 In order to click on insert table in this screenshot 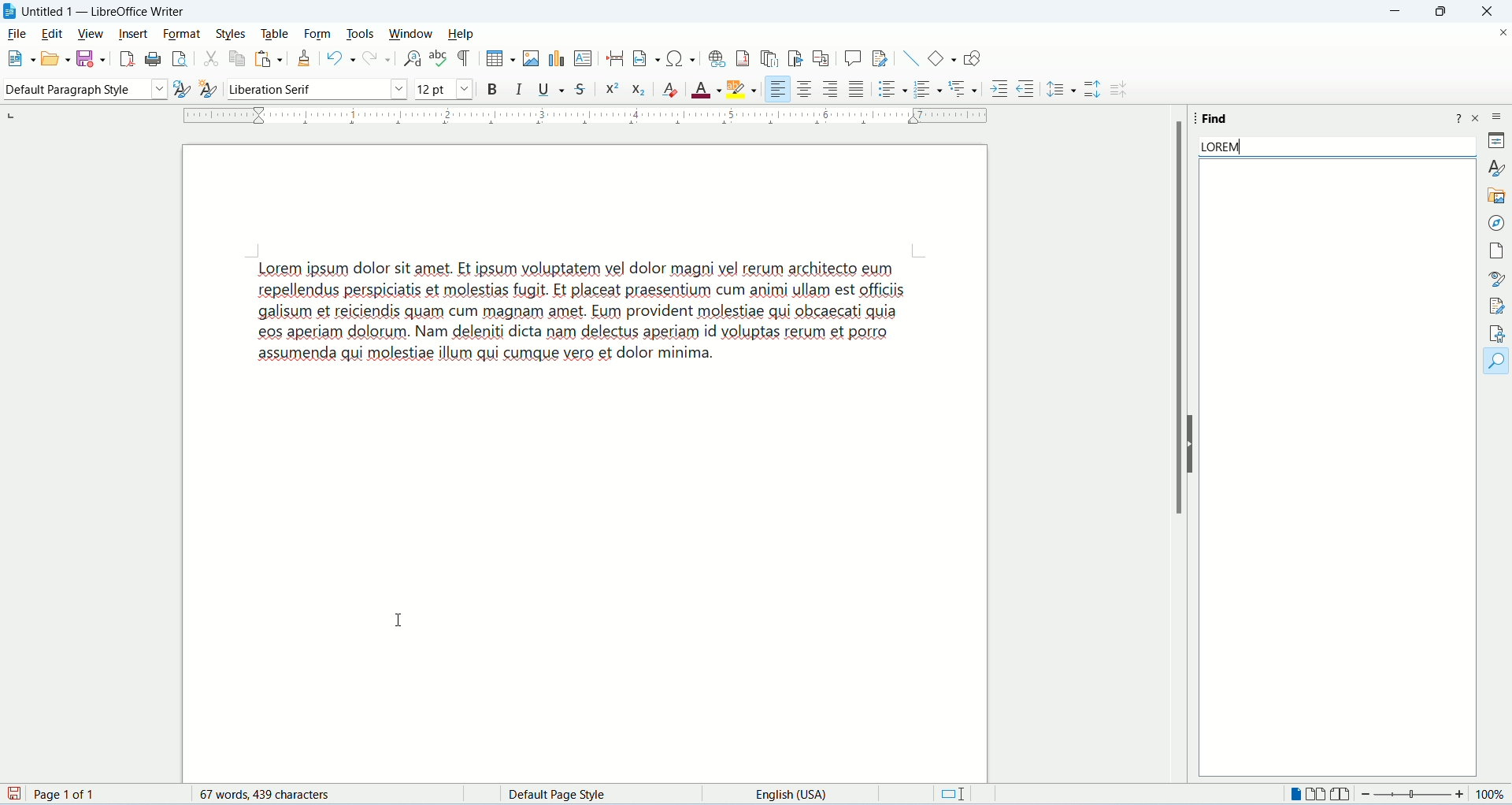, I will do `click(498, 60)`.